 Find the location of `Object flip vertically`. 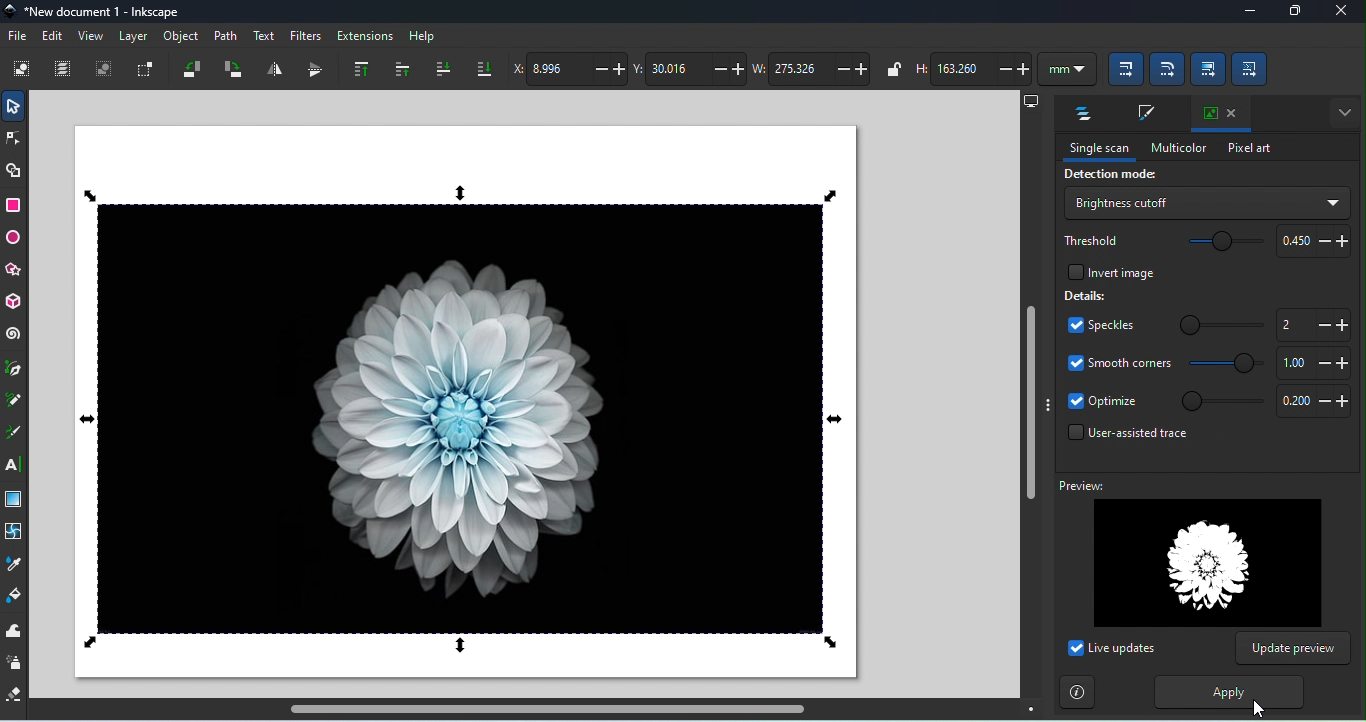

Object flip vertically is located at coordinates (310, 71).